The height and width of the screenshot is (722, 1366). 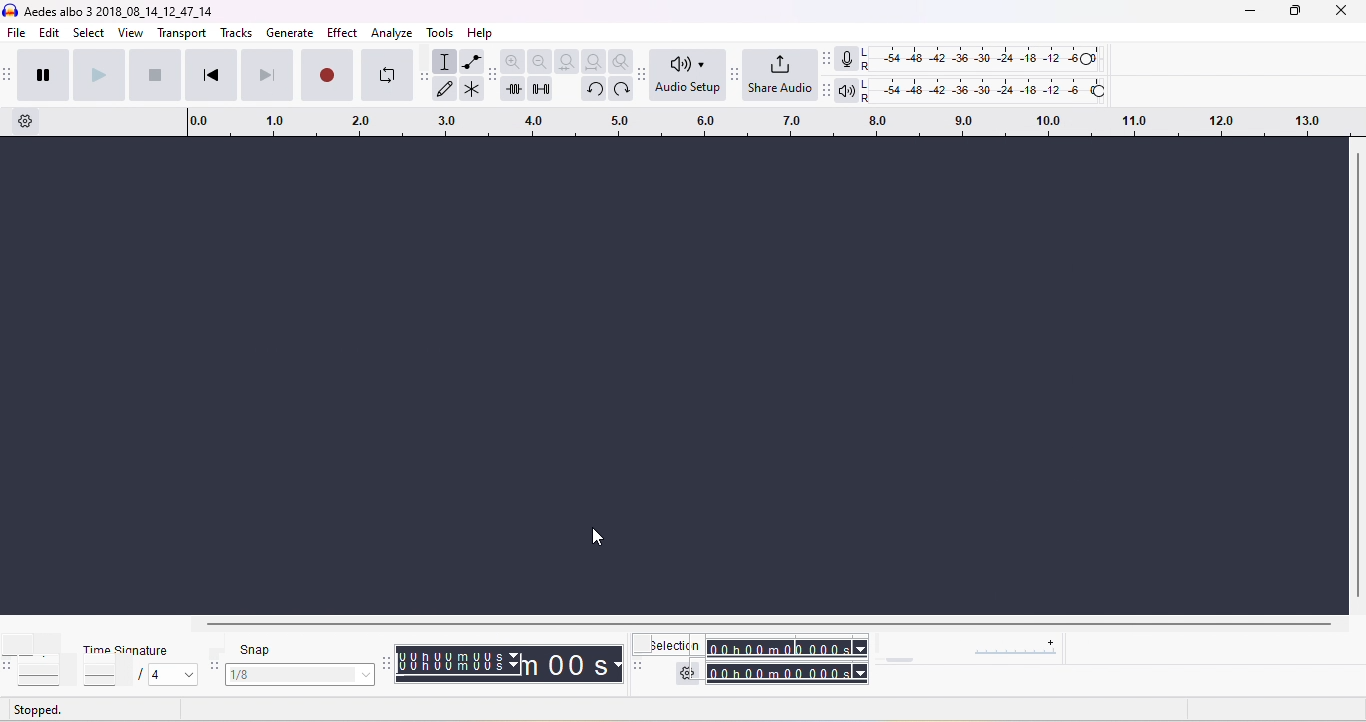 What do you see at coordinates (990, 87) in the screenshot?
I see `playback level` at bounding box center [990, 87].